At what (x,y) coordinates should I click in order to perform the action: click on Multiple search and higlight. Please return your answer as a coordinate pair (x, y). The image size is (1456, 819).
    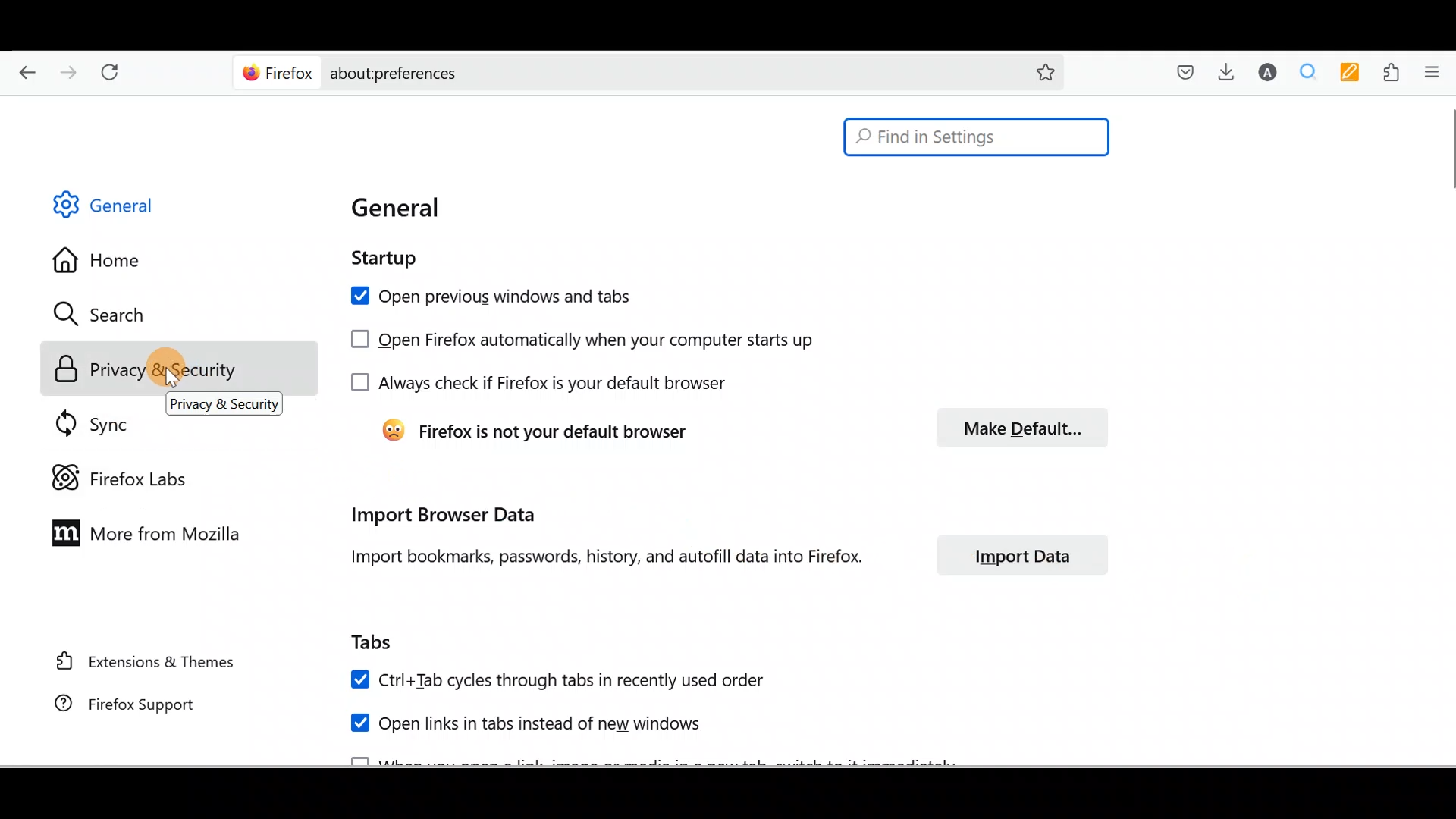
    Looking at the image, I should click on (1307, 71).